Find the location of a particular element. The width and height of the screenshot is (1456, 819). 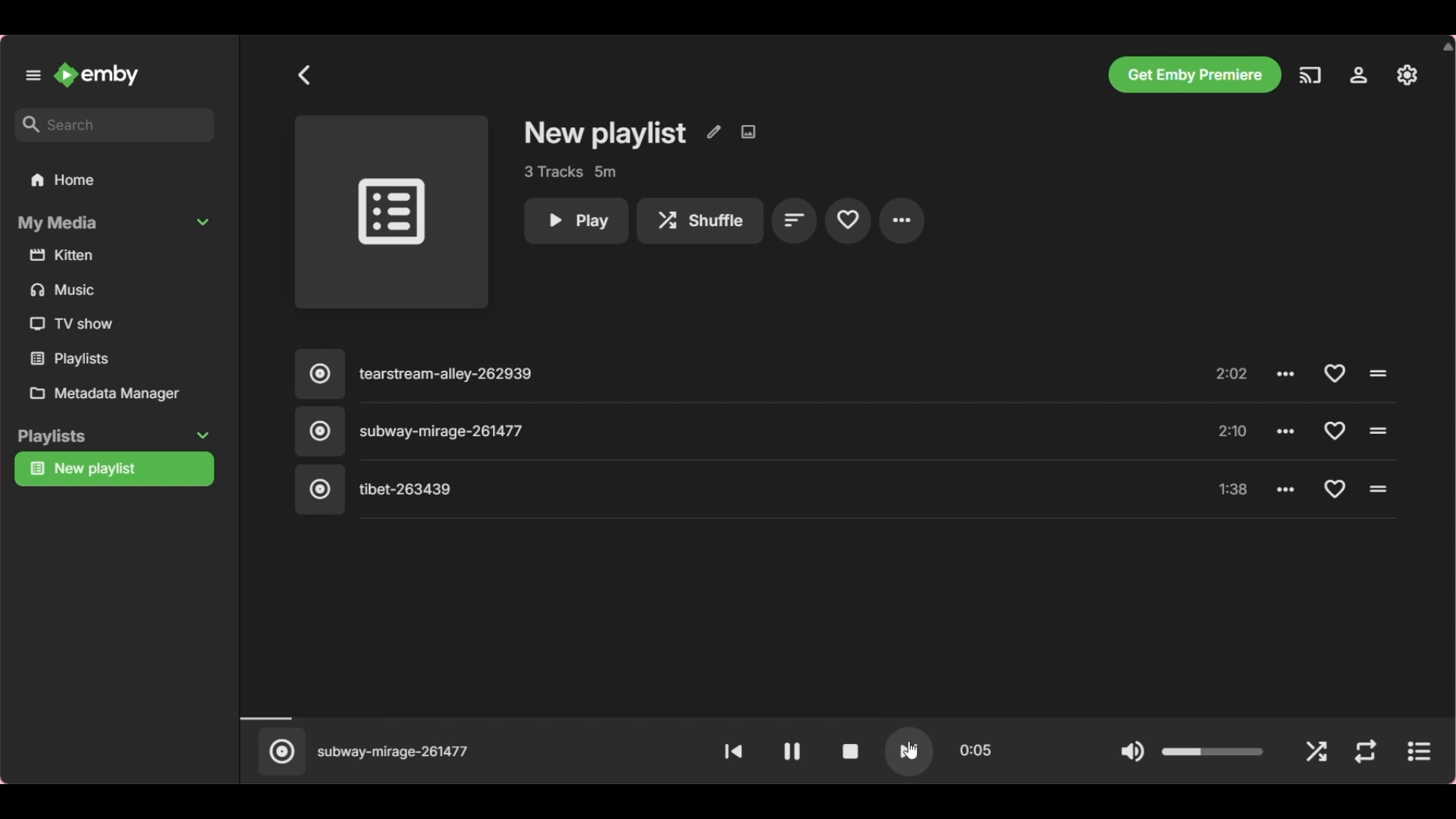

Sort by playlist order is located at coordinates (793, 220).